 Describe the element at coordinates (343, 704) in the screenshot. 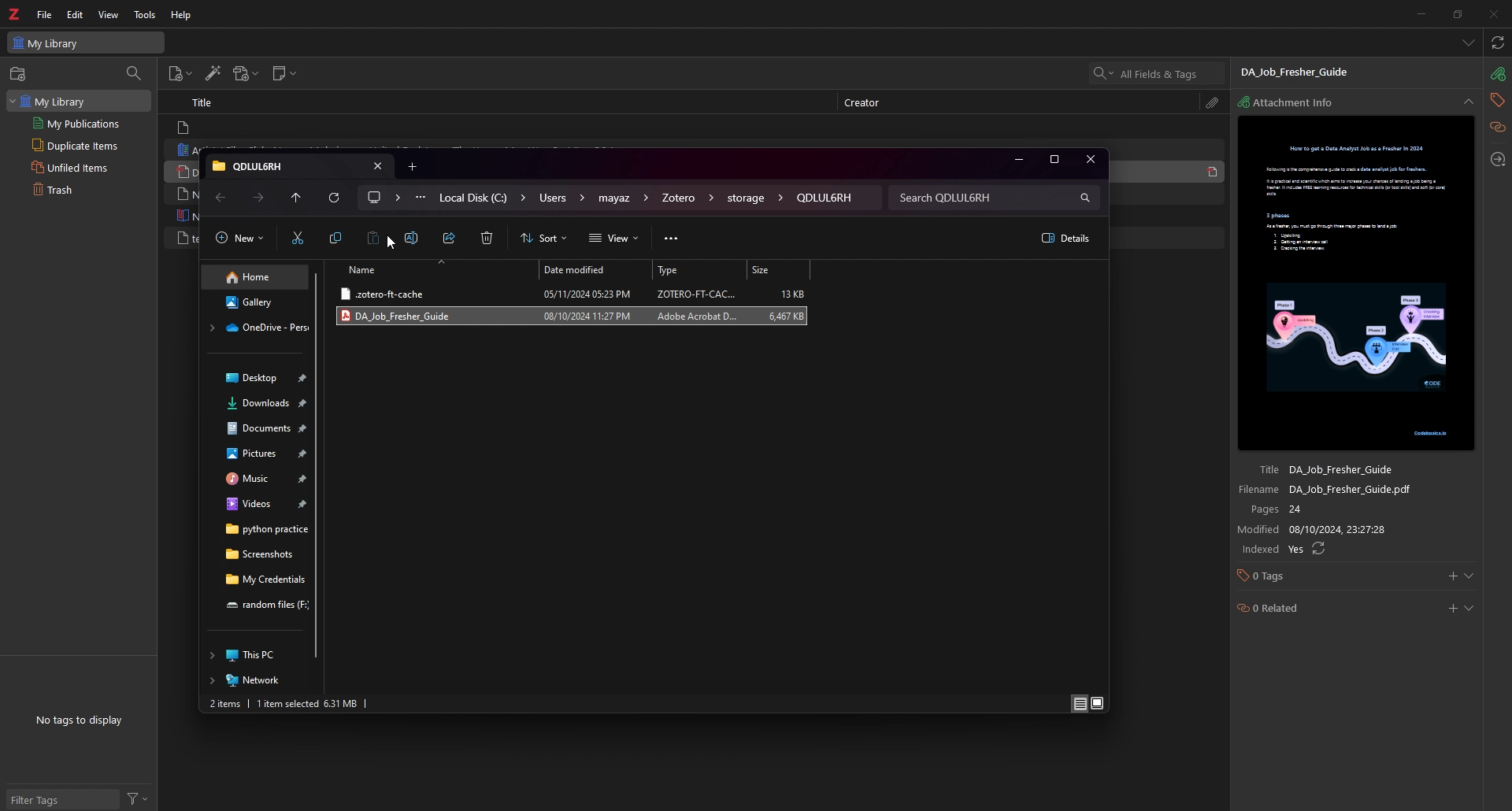

I see `size` at that location.